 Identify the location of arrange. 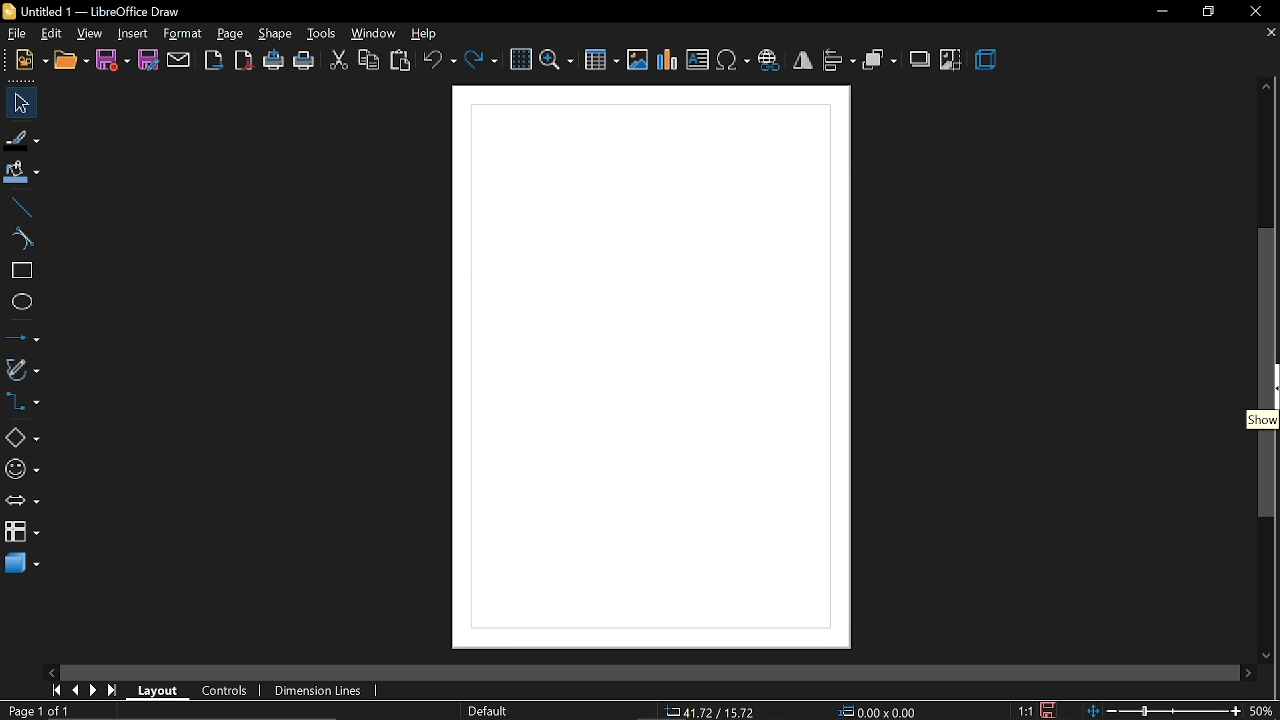
(880, 61).